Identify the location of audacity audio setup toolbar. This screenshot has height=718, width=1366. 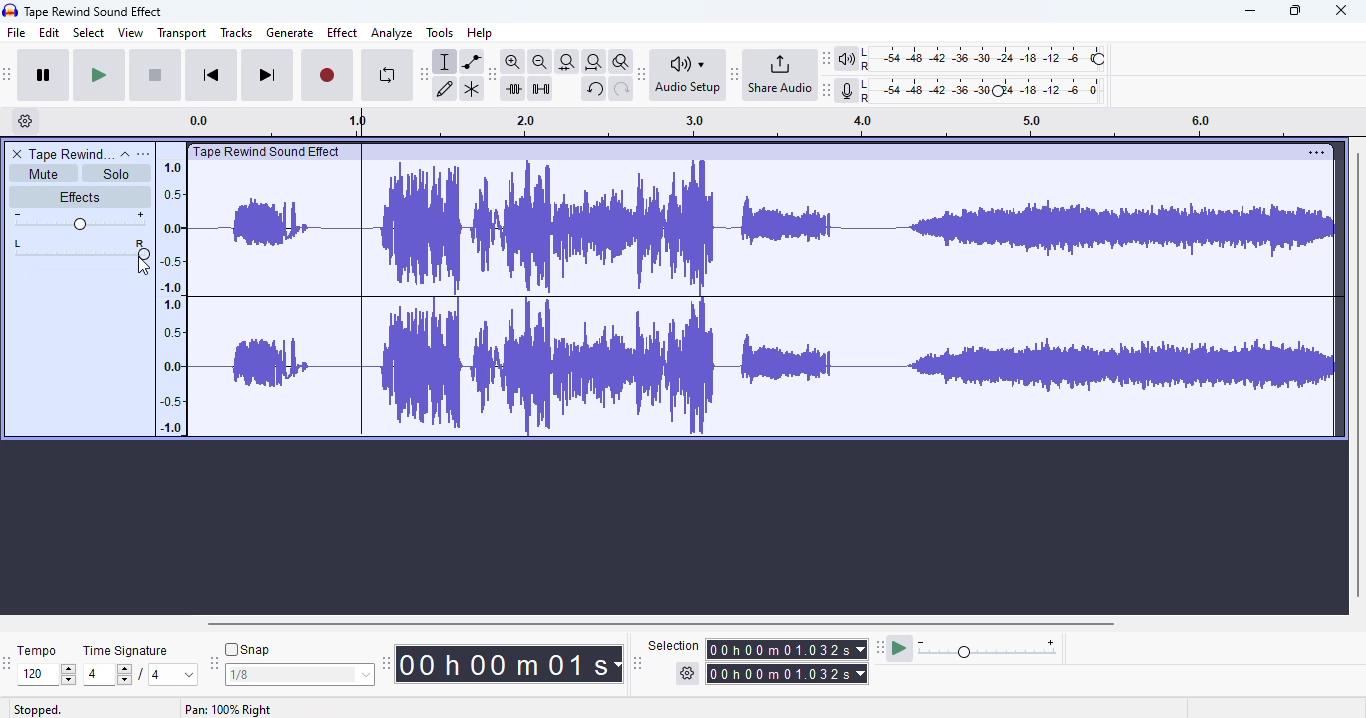
(642, 74).